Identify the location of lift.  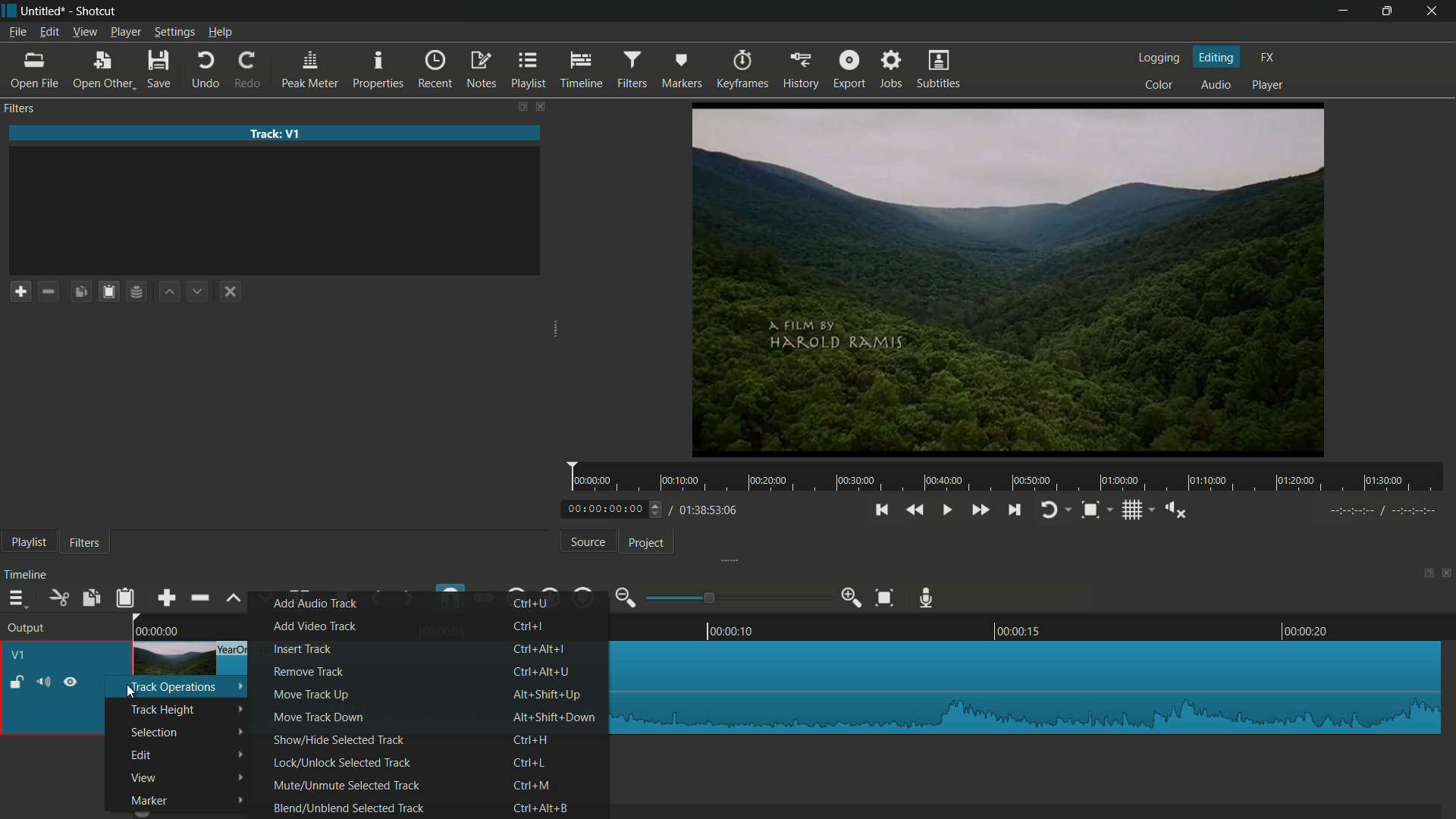
(234, 597).